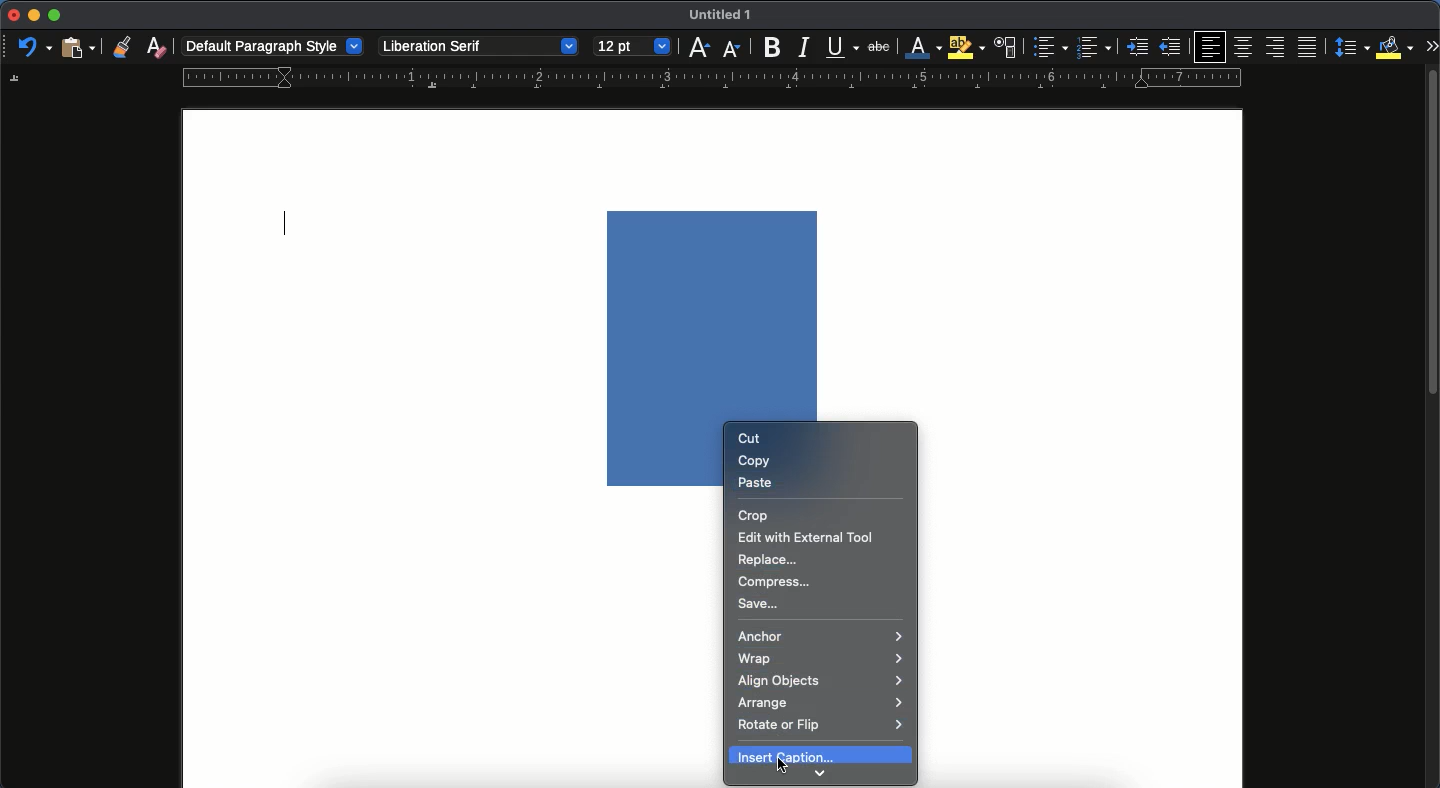 This screenshot has width=1440, height=788. Describe the element at coordinates (1396, 48) in the screenshot. I see `fill color` at that location.